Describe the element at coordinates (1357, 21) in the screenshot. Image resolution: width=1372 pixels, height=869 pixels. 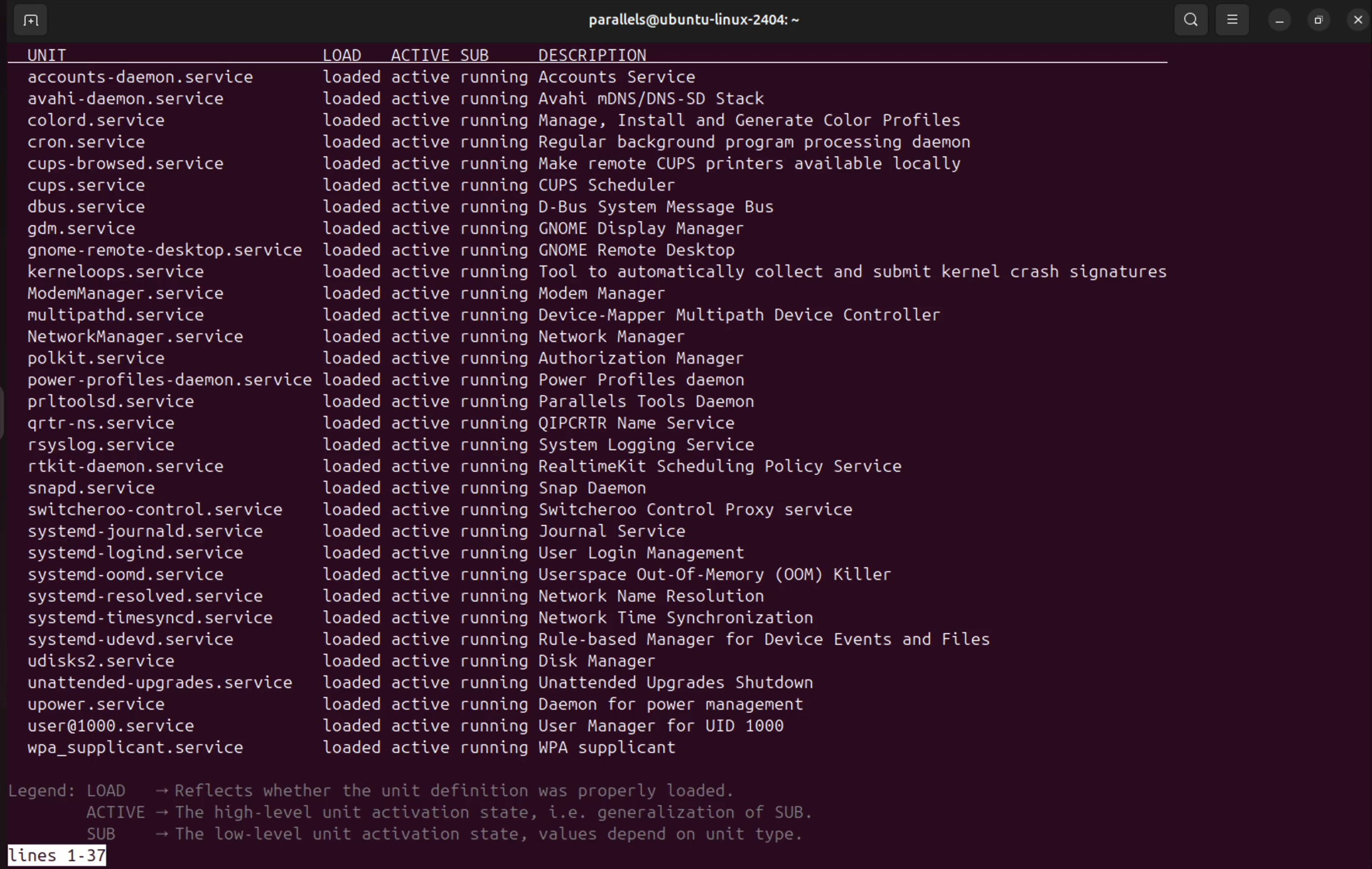
I see `close` at that location.